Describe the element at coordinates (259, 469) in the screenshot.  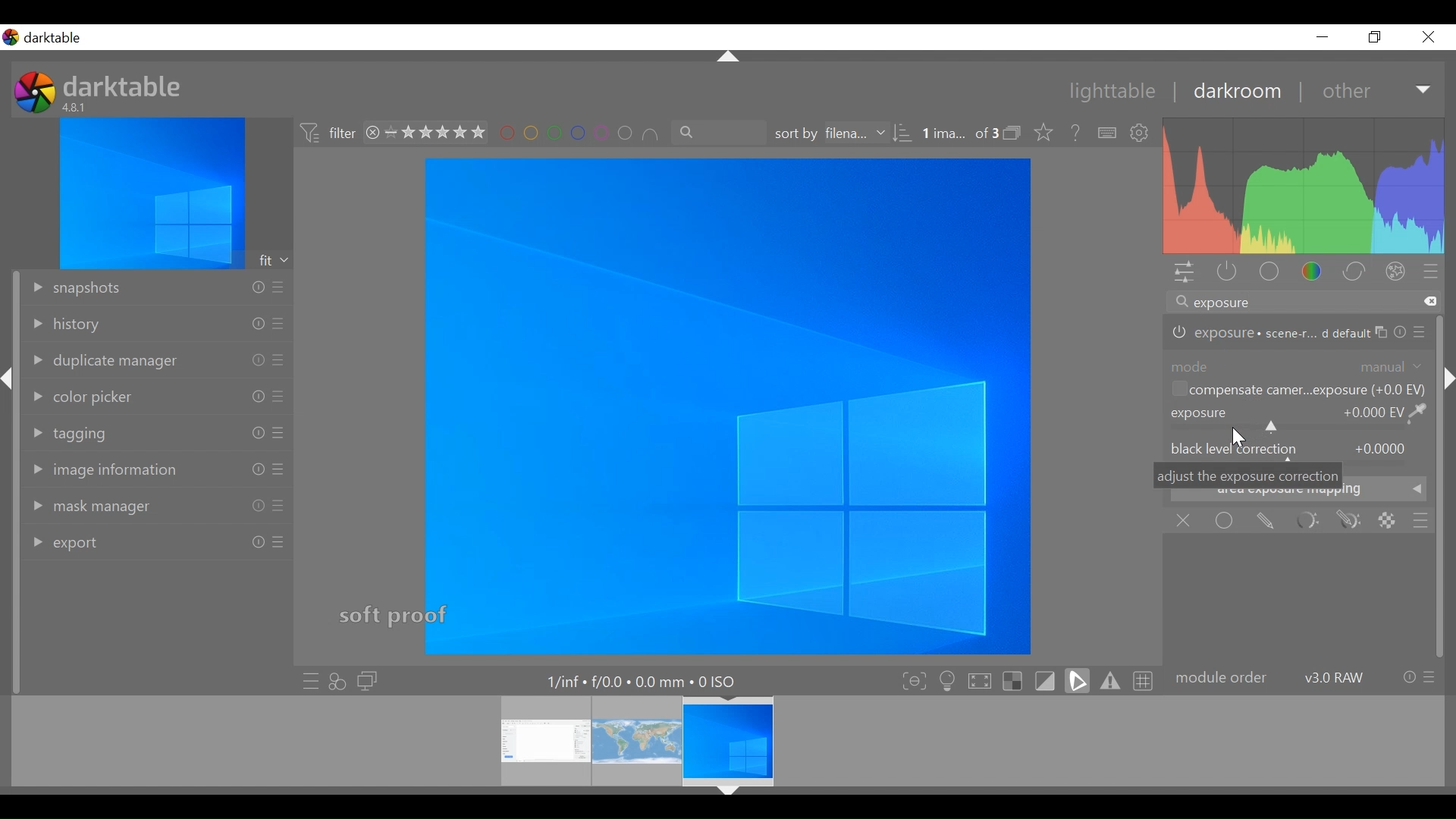
I see `info` at that location.